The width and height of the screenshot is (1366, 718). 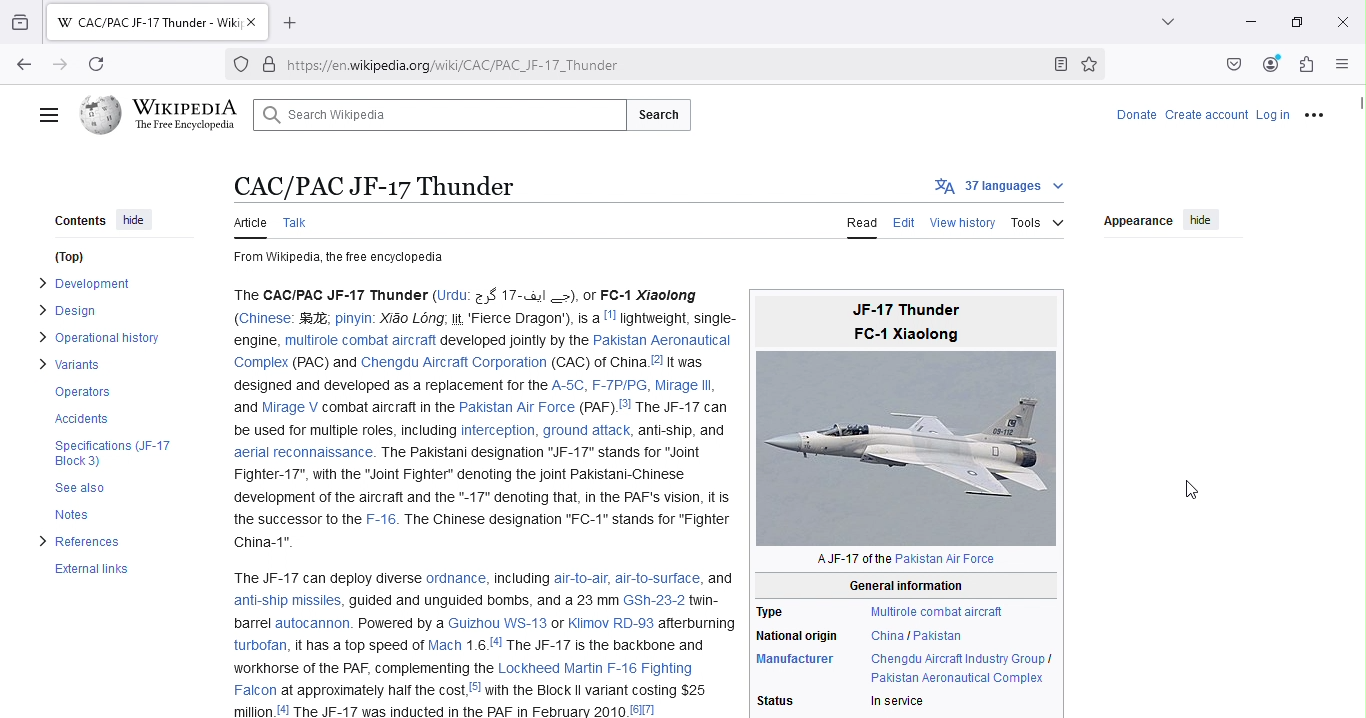 I want to click on wikipedia logo, so click(x=160, y=112).